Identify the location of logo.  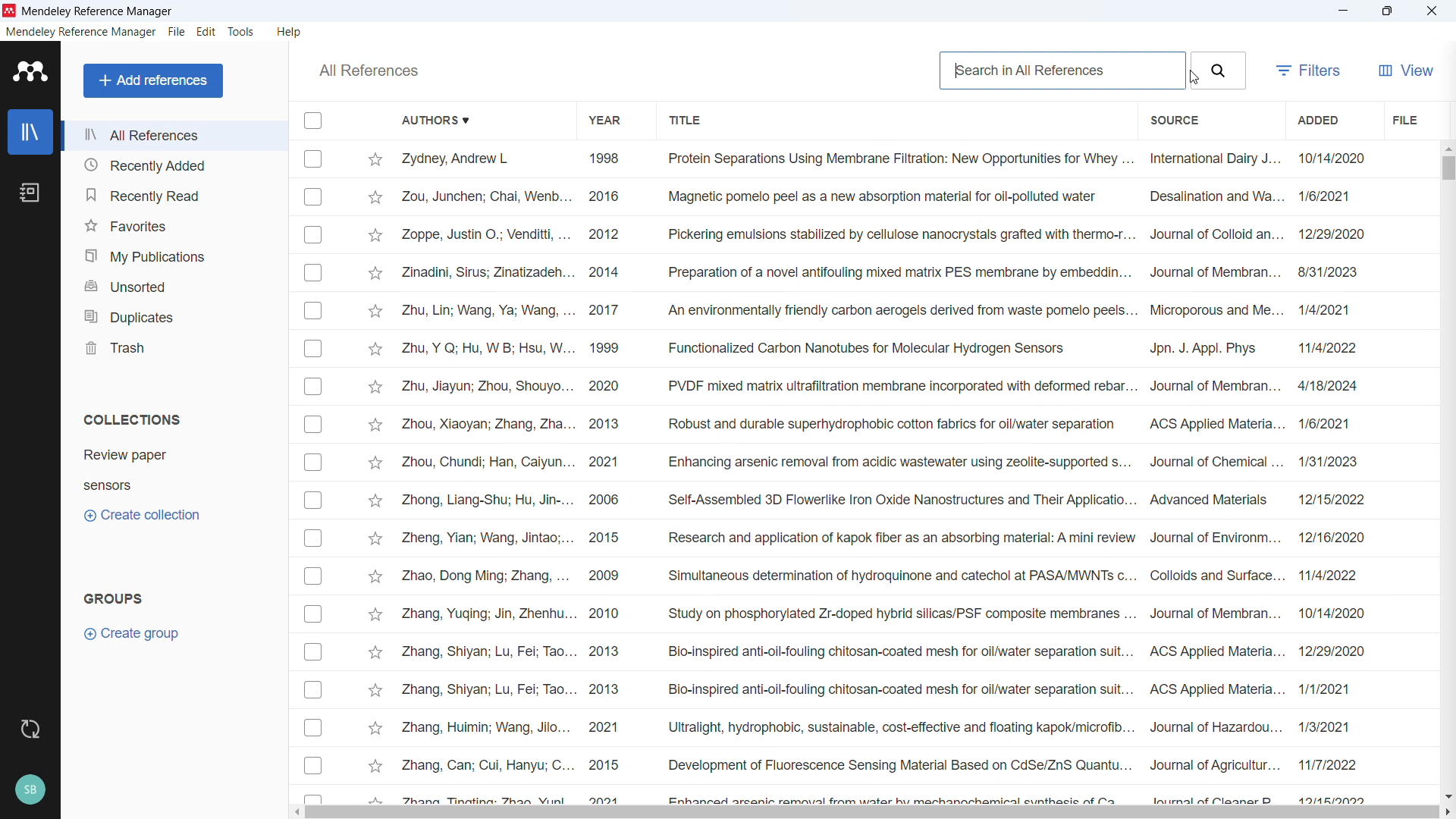
(30, 71).